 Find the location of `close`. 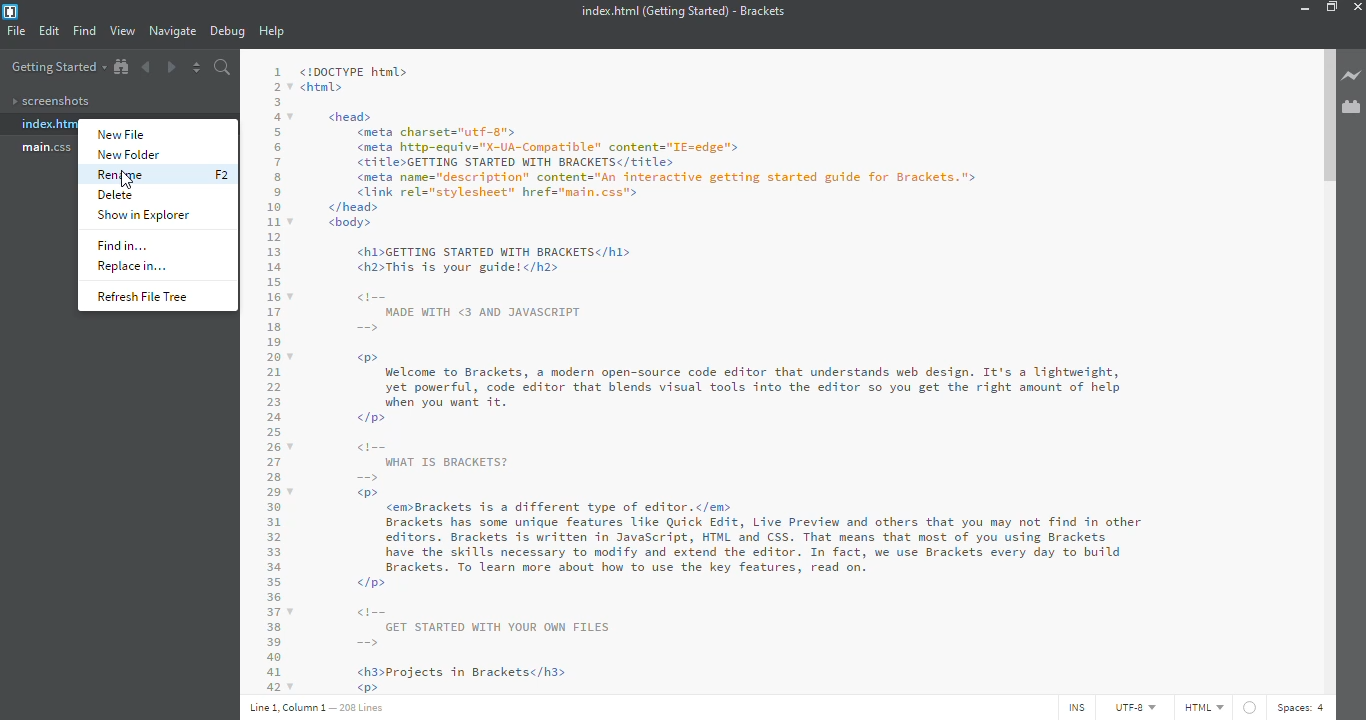

close is located at coordinates (1362, 5).